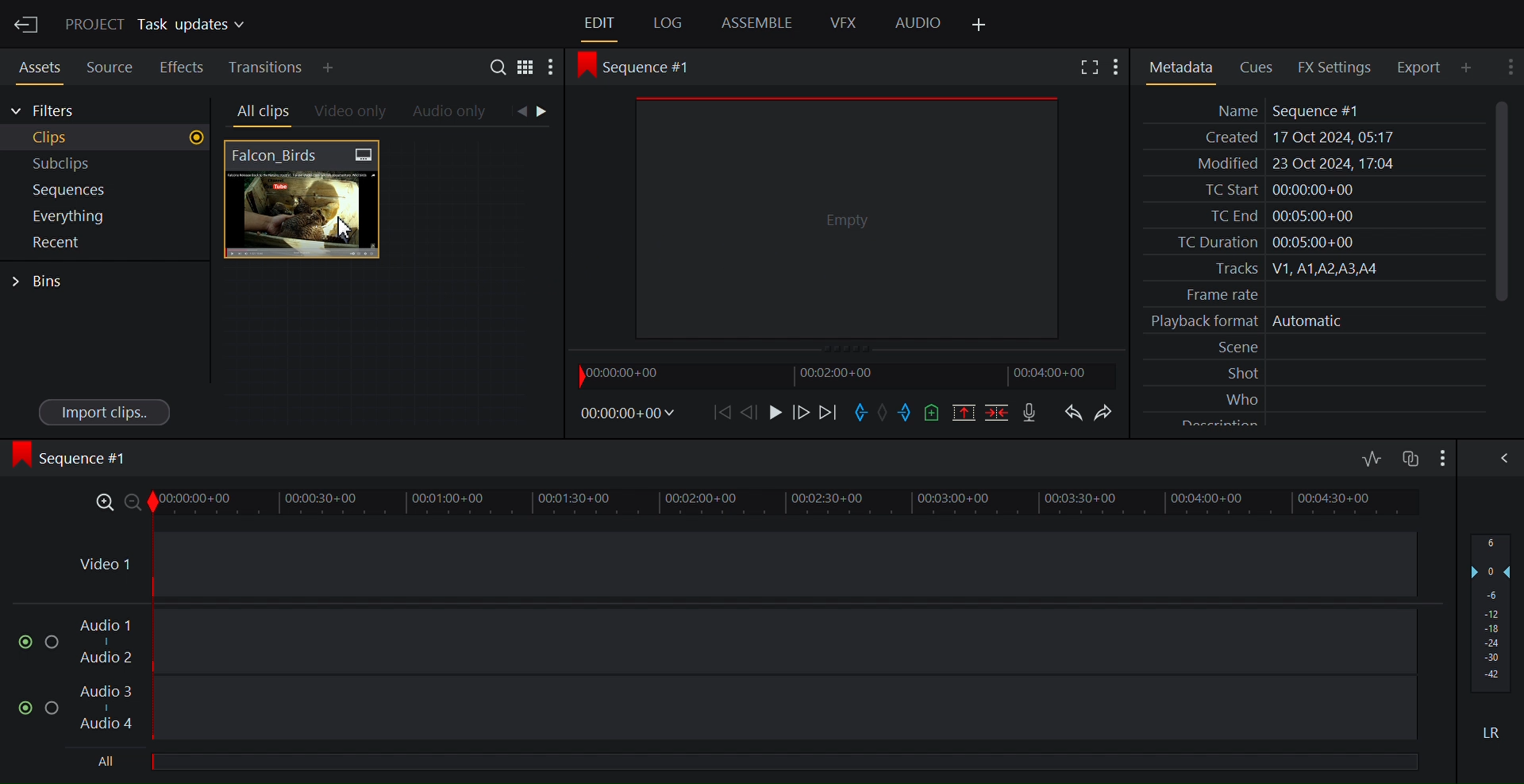 This screenshot has width=1524, height=784. I want to click on Bins, so click(39, 282).